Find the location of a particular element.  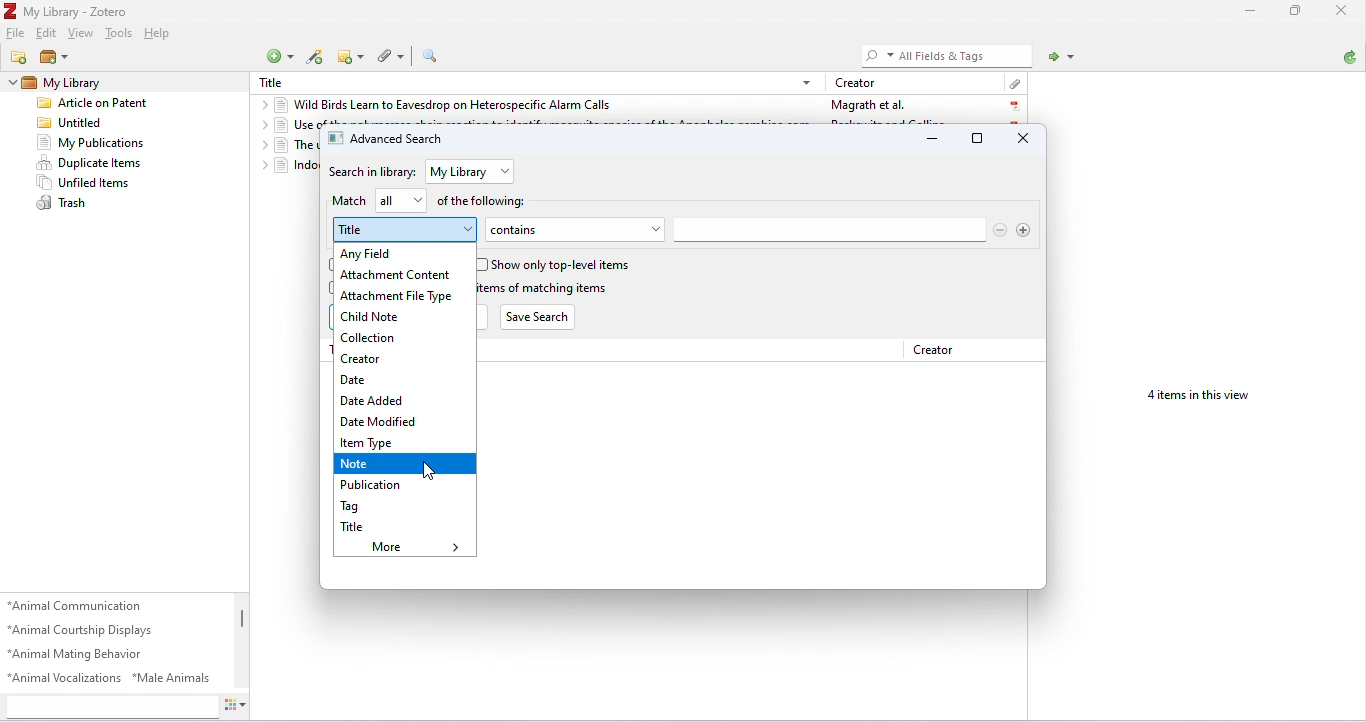

animal courtship displays is located at coordinates (83, 631).